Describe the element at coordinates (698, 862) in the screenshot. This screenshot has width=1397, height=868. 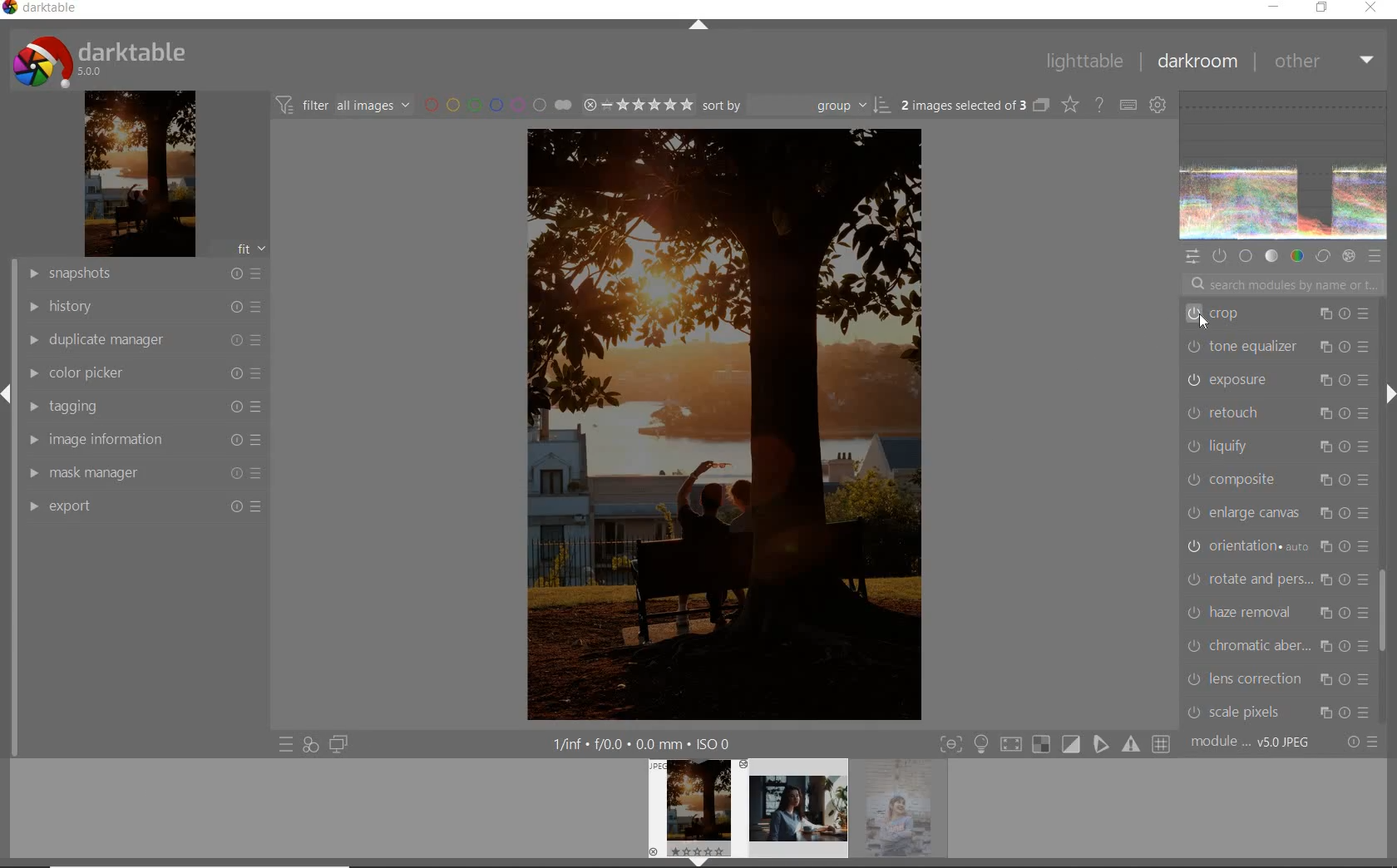
I see `expand/collapse` at that location.